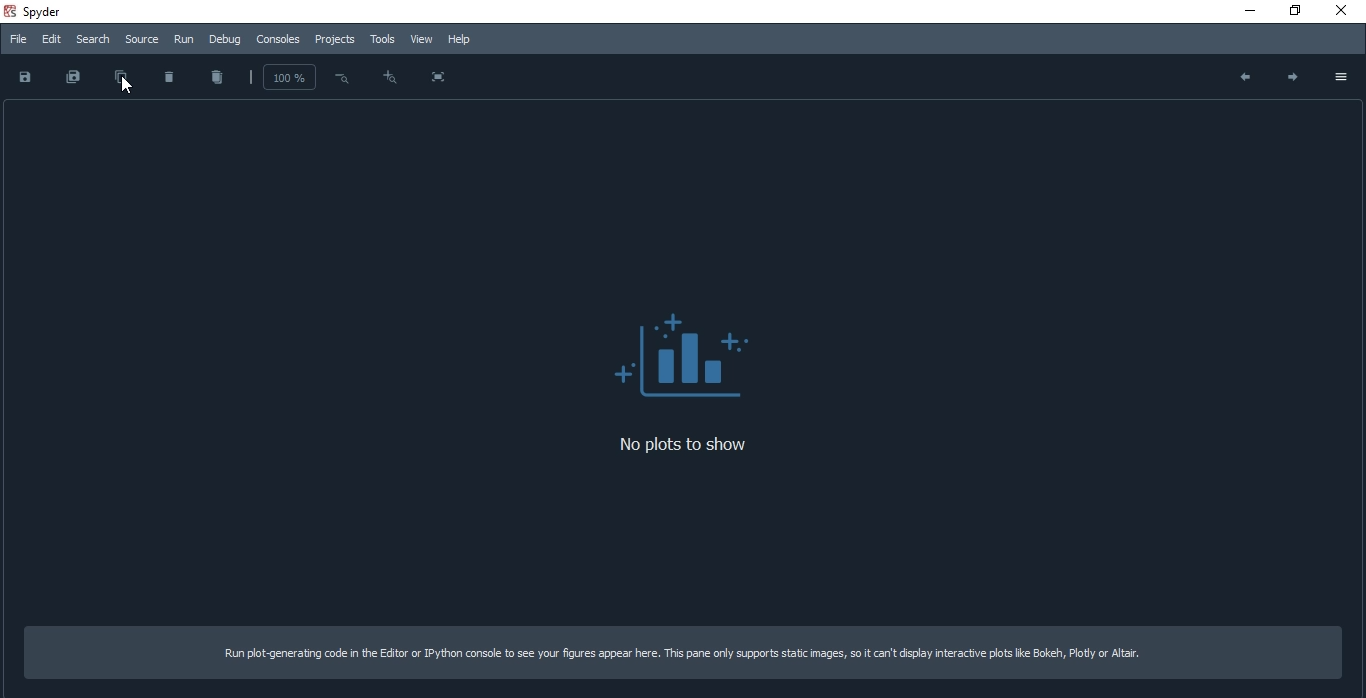 The image size is (1366, 698). I want to click on source, so click(144, 40).